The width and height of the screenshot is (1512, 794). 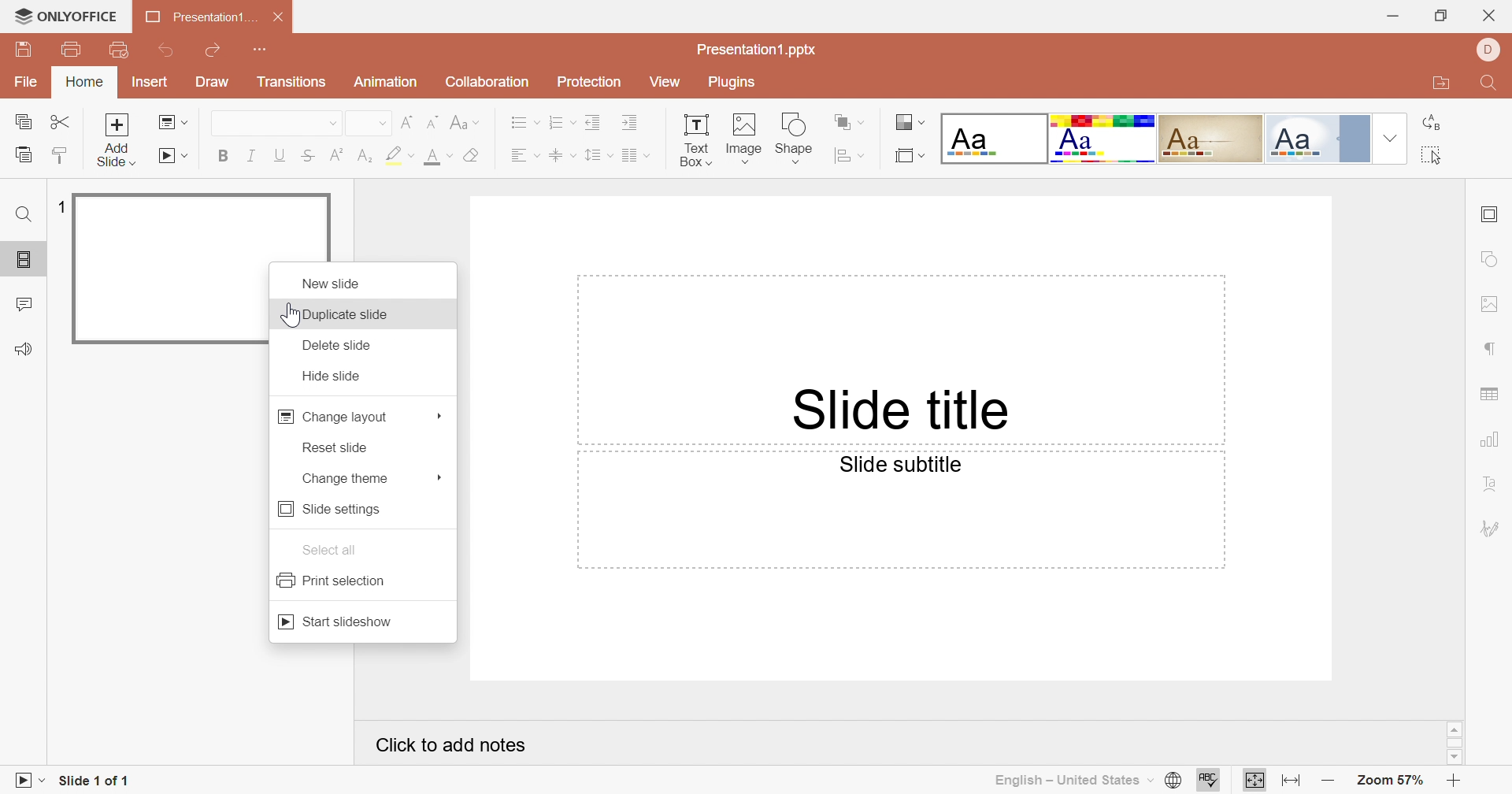 What do you see at coordinates (1492, 350) in the screenshot?
I see `Paragraph settings` at bounding box center [1492, 350].